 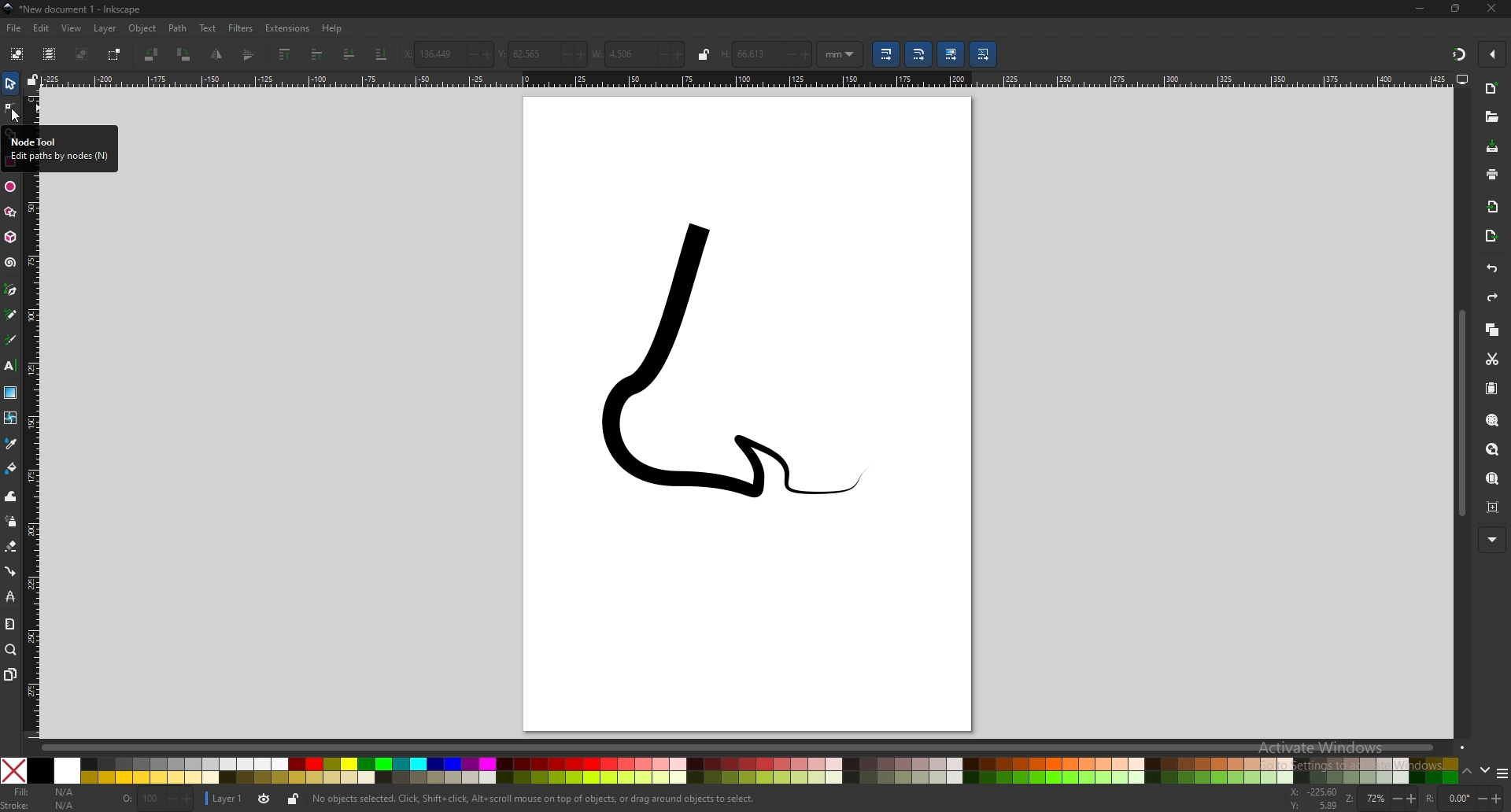 What do you see at coordinates (1491, 147) in the screenshot?
I see `save` at bounding box center [1491, 147].